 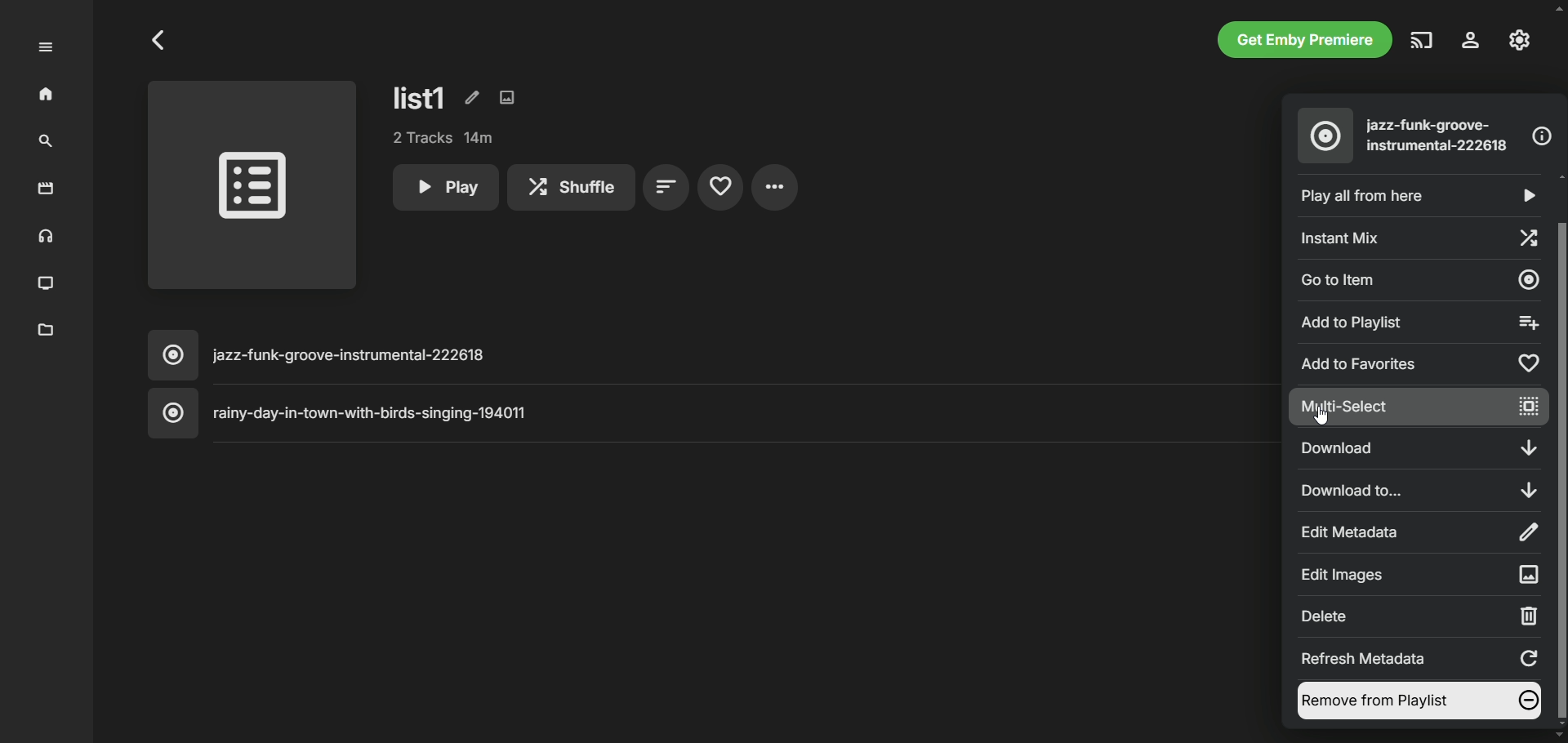 What do you see at coordinates (47, 95) in the screenshot?
I see `home` at bounding box center [47, 95].